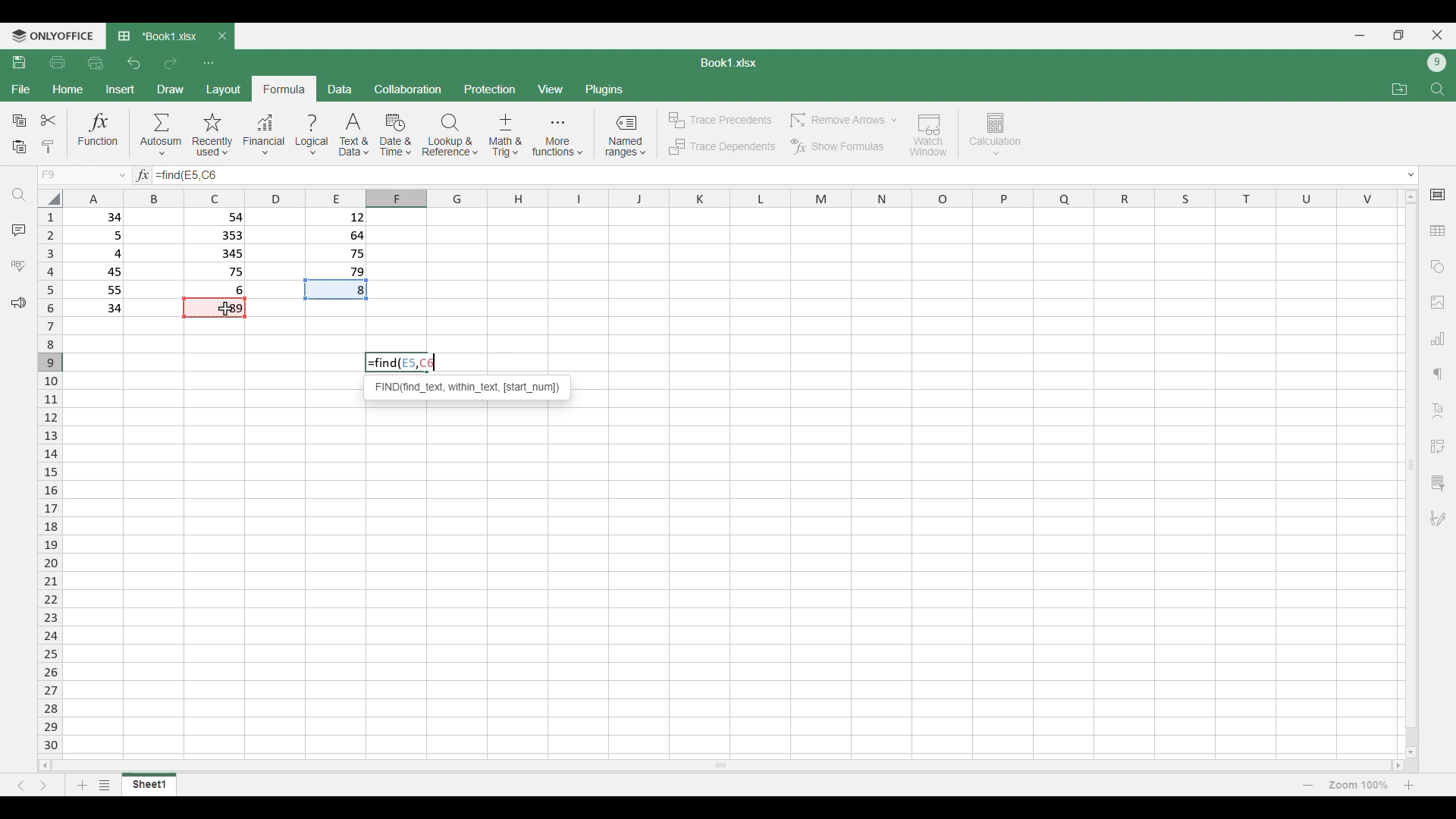 This screenshot has height=819, width=1456. I want to click on Insert pivot table, so click(1437, 447).